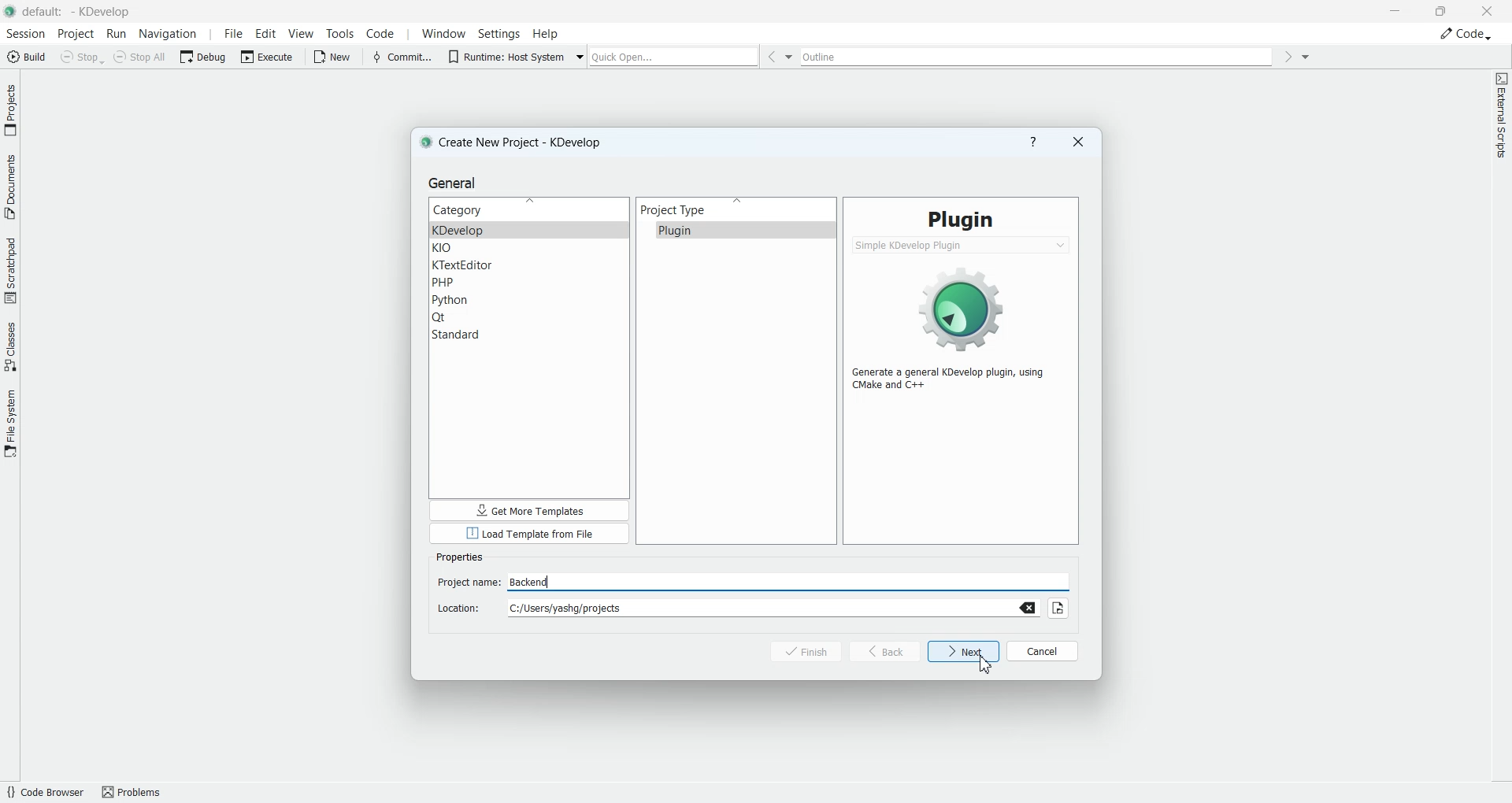  Describe the element at coordinates (118, 35) in the screenshot. I see `Run` at that location.